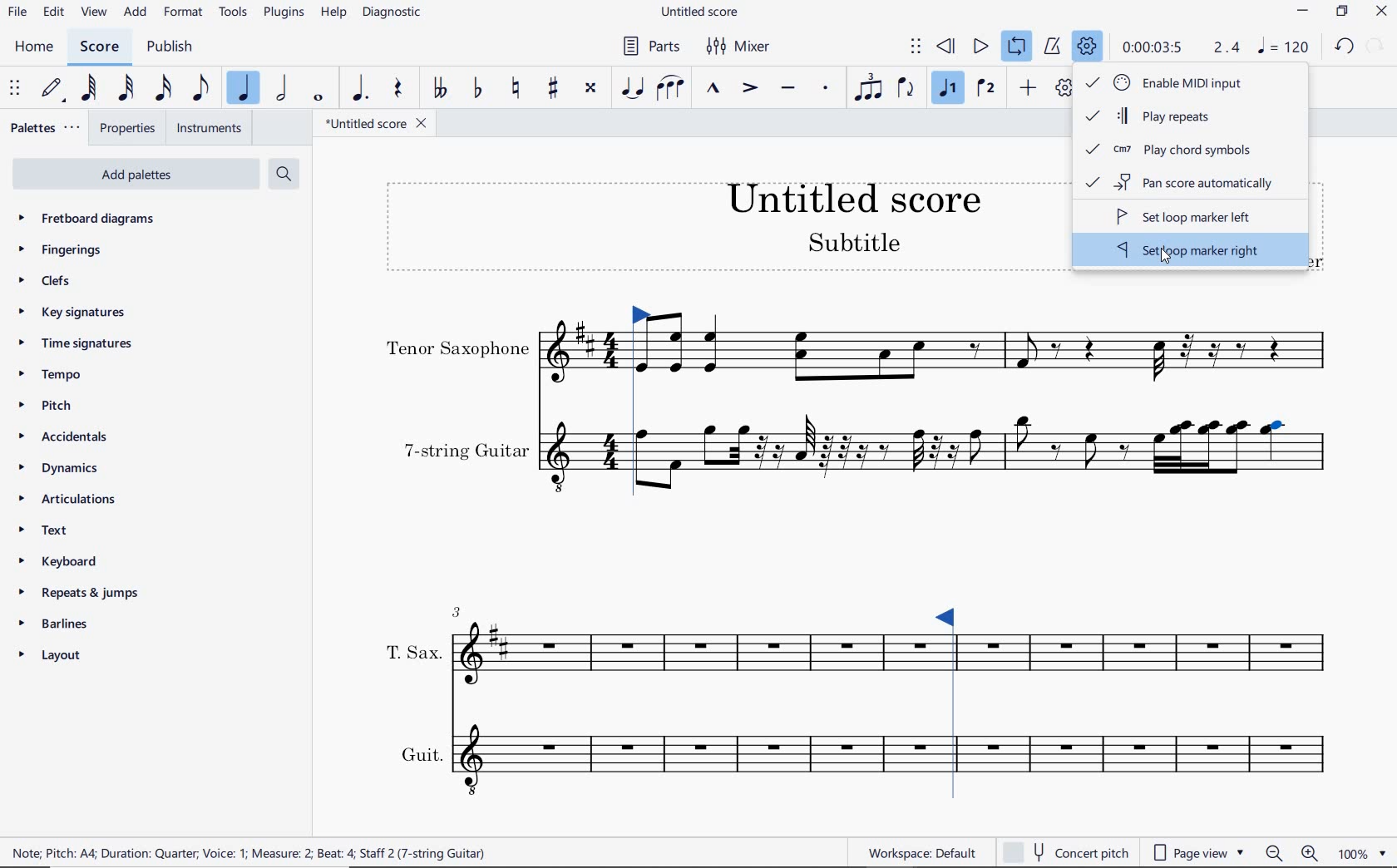 This screenshot has height=868, width=1397. I want to click on DEFAULT (STEP TIME), so click(55, 87).